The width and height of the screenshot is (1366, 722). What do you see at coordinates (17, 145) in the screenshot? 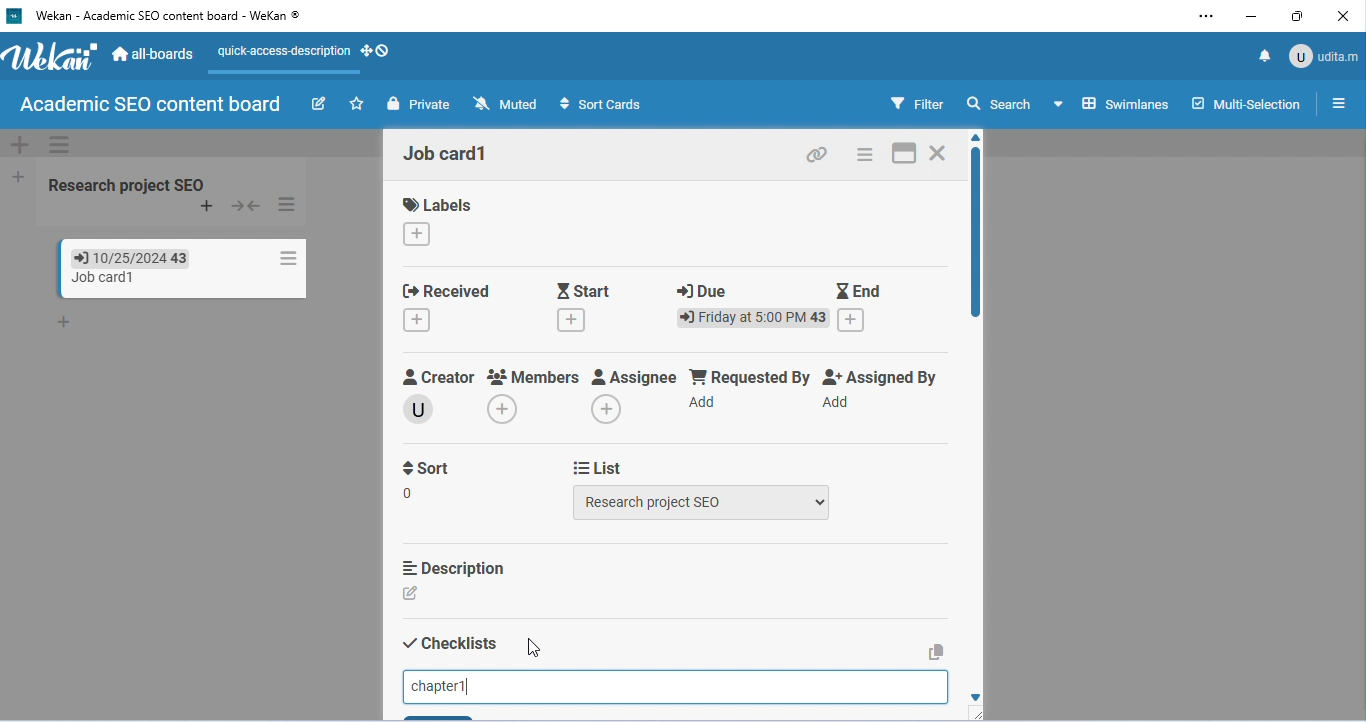
I see `add swimlane` at bounding box center [17, 145].